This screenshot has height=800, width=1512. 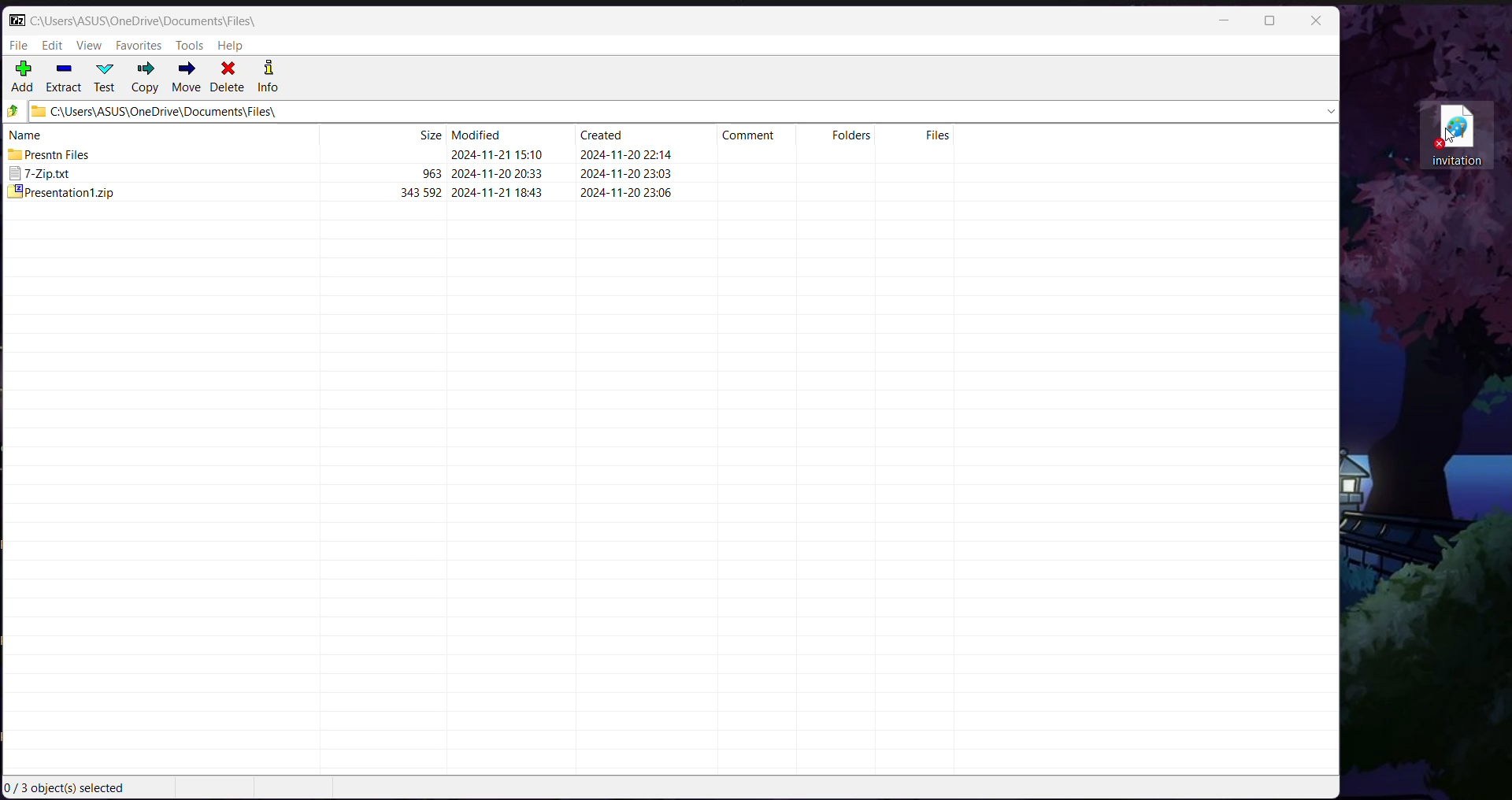 I want to click on Folders, so click(x=854, y=135).